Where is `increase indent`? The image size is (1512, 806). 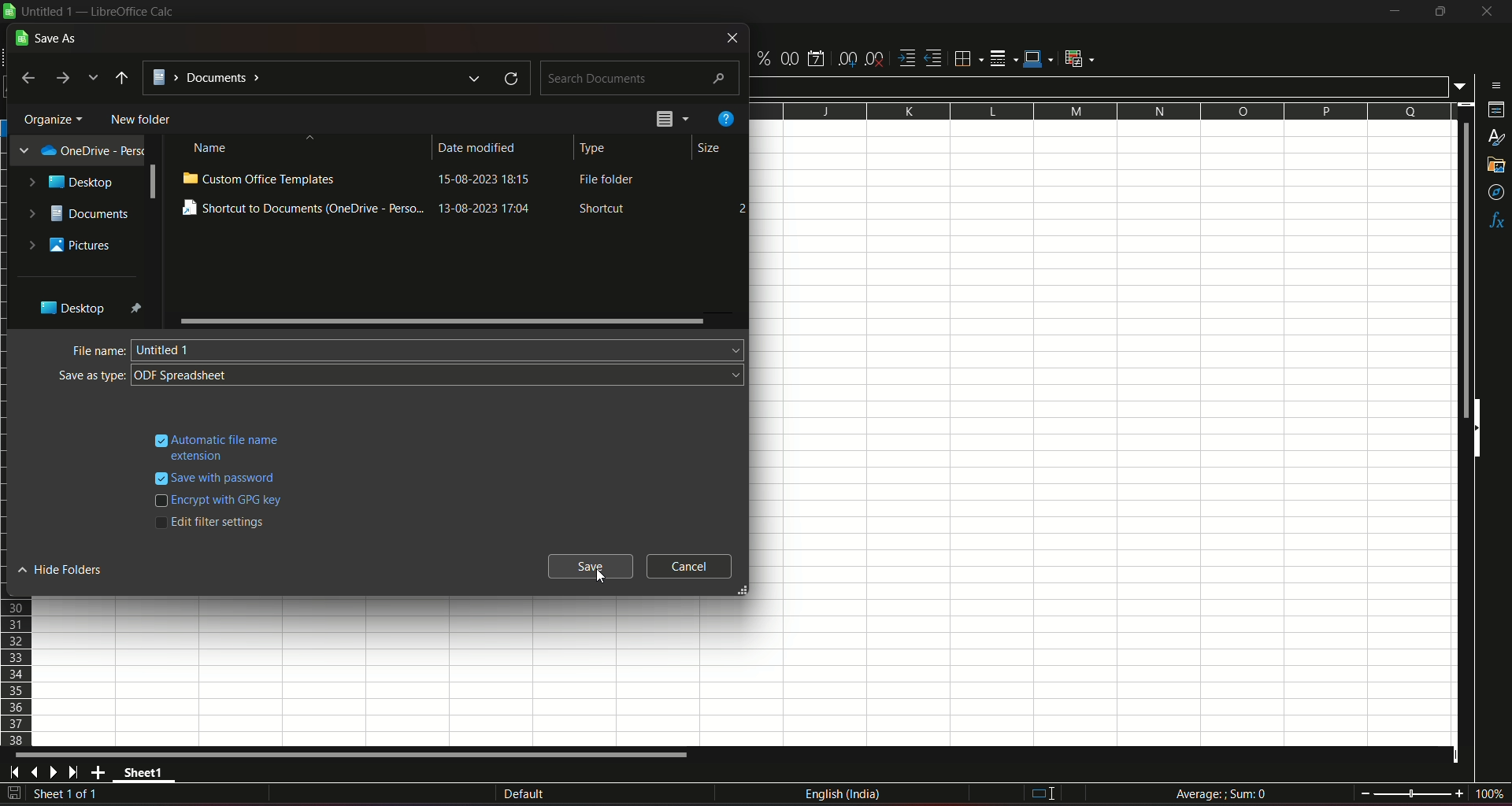 increase indent is located at coordinates (906, 57).